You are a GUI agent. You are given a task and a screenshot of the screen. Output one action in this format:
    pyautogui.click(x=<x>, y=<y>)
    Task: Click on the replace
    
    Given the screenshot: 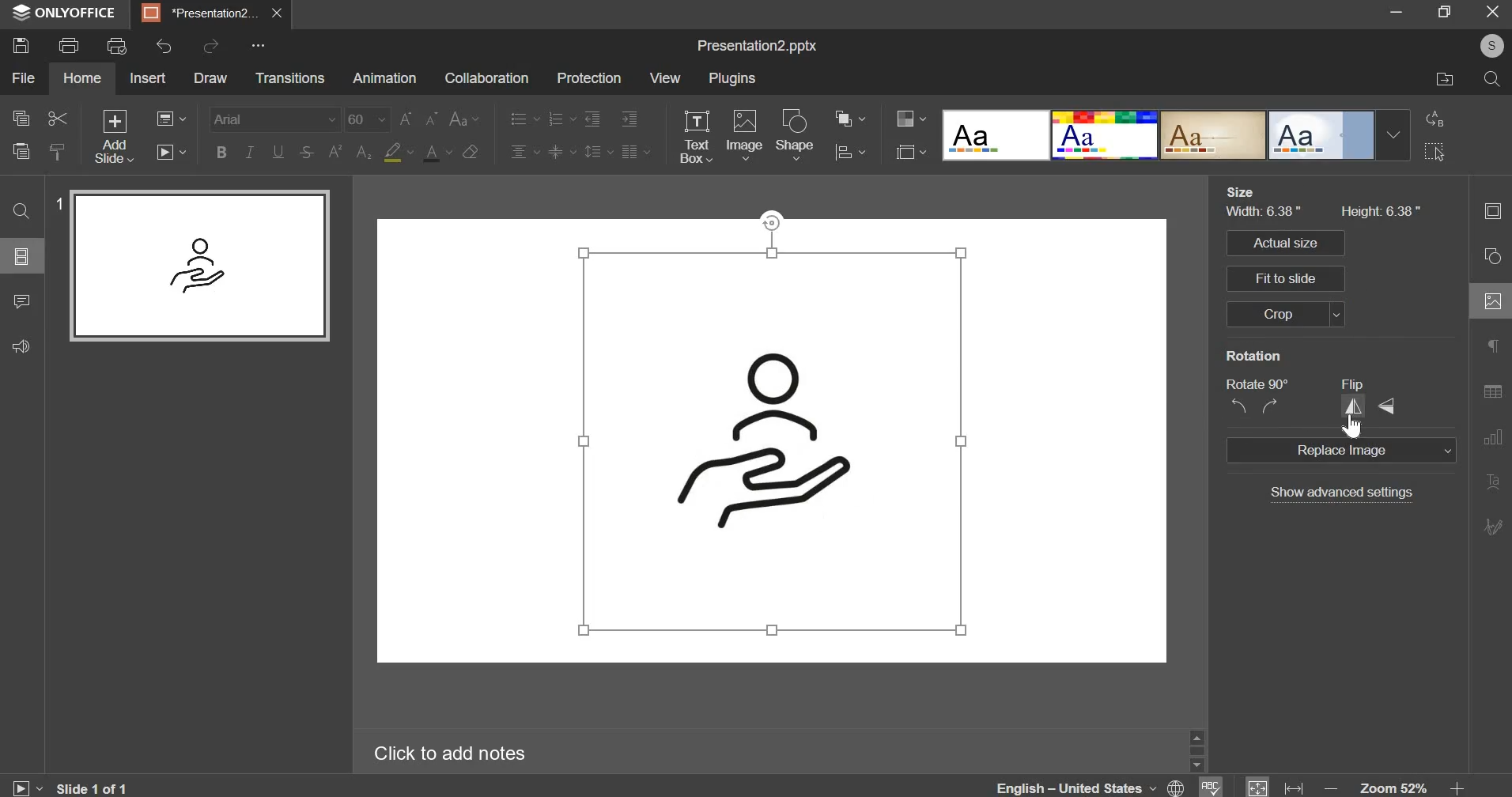 What is the action you would take?
    pyautogui.click(x=1339, y=450)
    